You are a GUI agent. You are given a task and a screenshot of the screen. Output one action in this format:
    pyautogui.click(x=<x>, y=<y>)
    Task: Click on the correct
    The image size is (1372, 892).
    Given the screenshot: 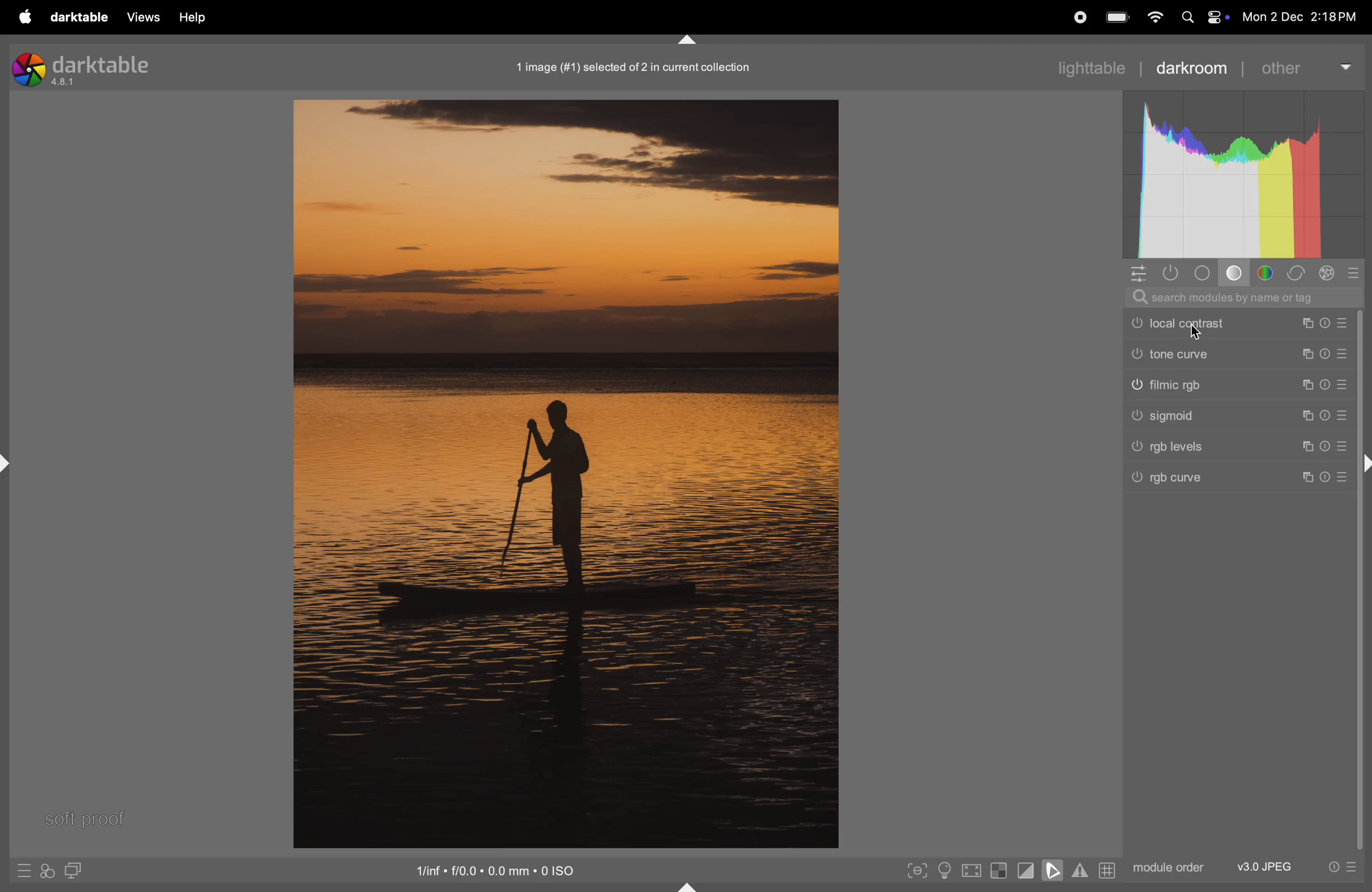 What is the action you would take?
    pyautogui.click(x=1299, y=273)
    